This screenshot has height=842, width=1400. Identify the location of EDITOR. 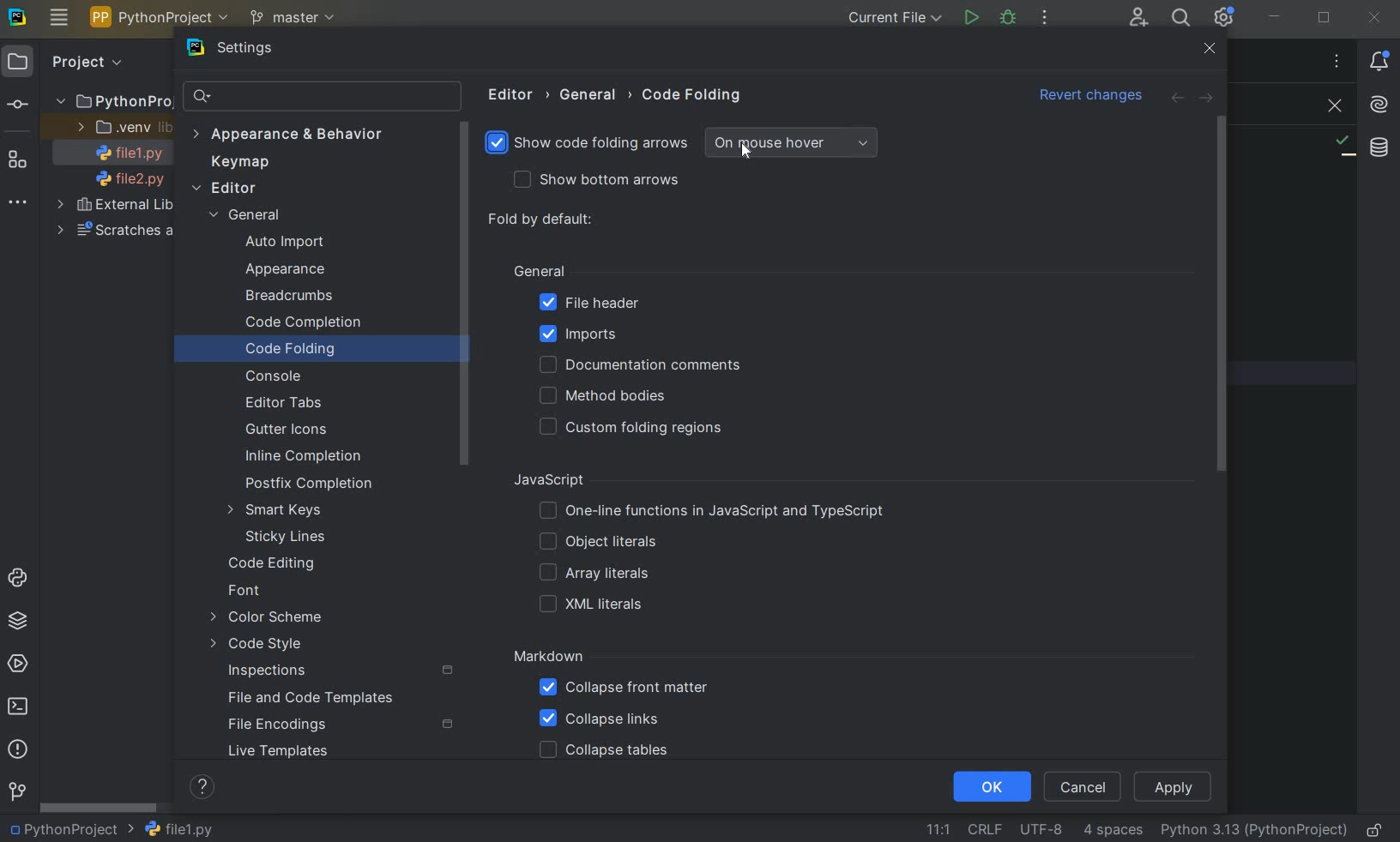
(514, 94).